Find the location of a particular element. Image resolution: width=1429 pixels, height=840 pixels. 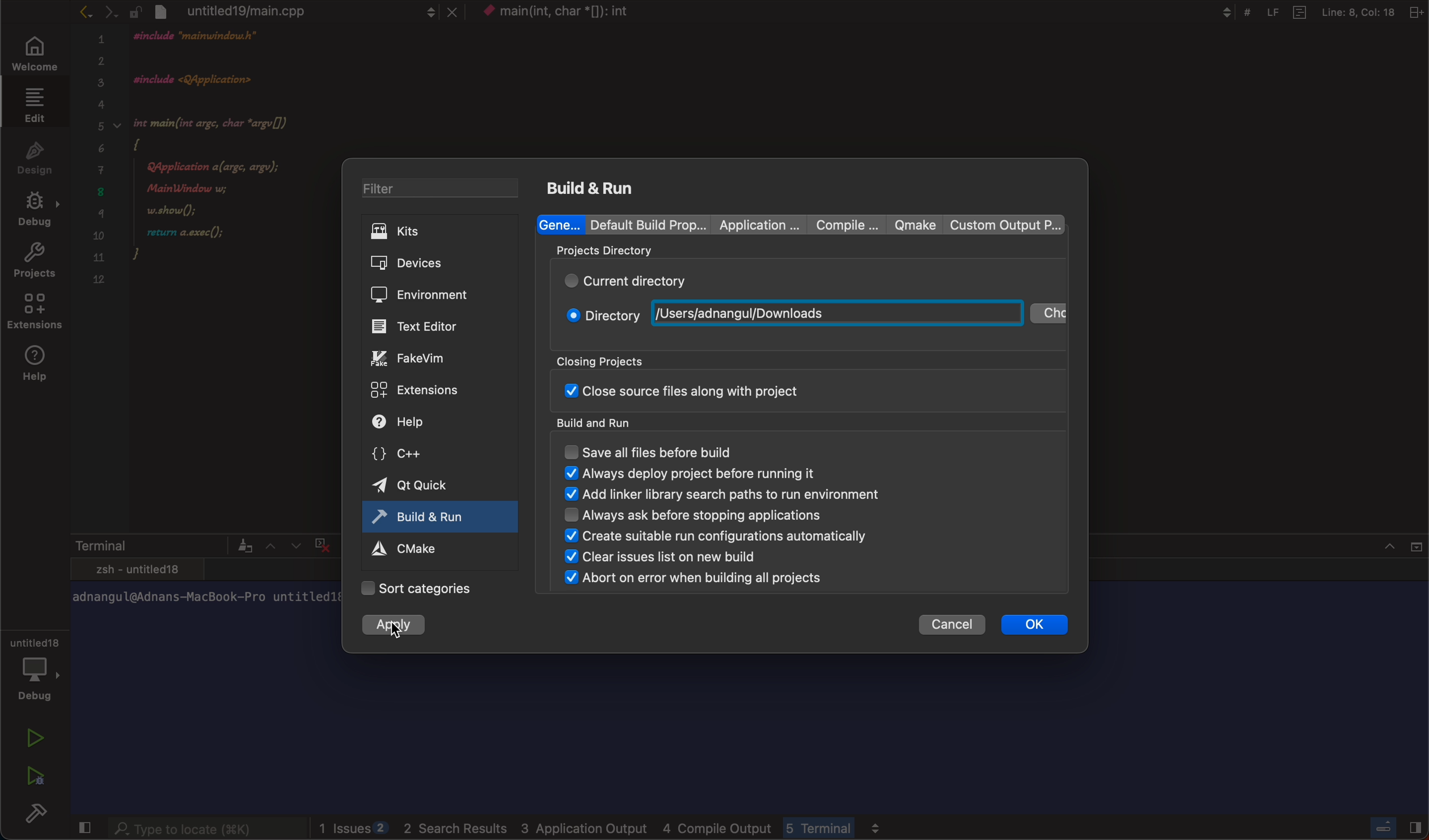

fake vim is located at coordinates (424, 359).